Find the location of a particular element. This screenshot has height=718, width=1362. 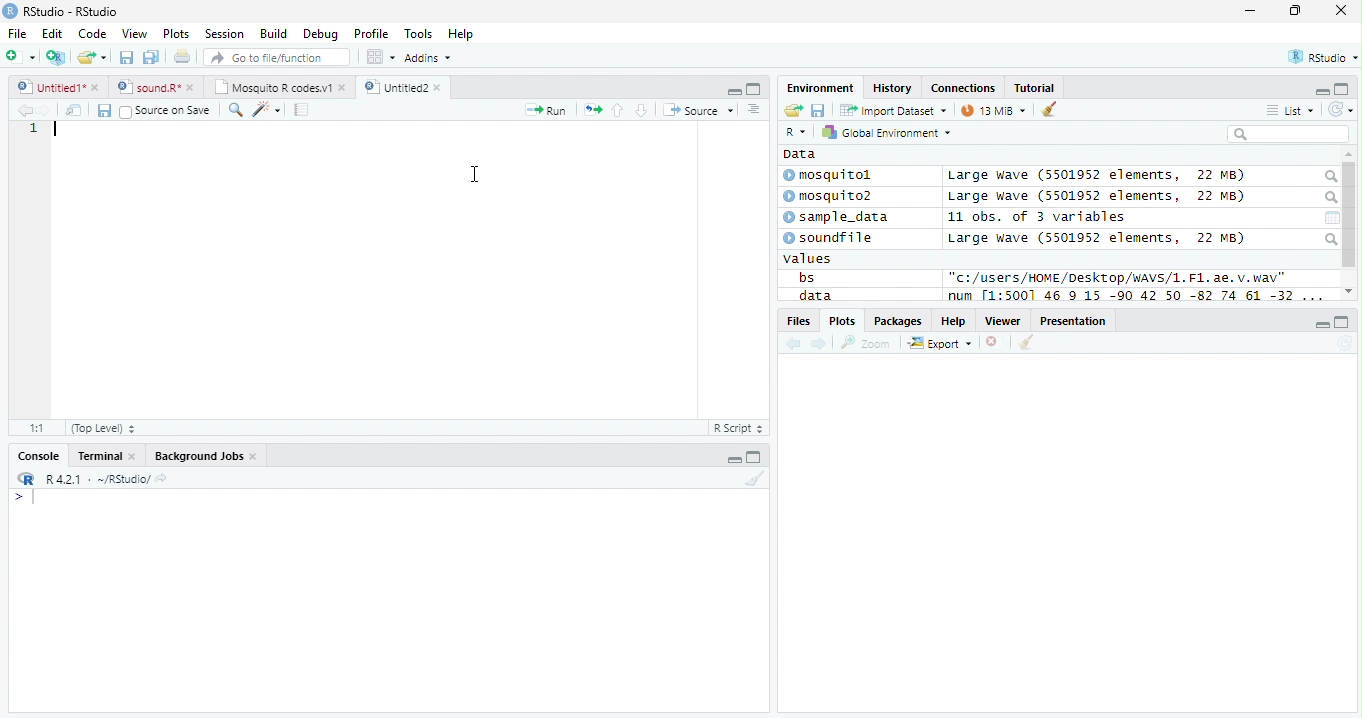

Refresh is located at coordinates (1341, 110).